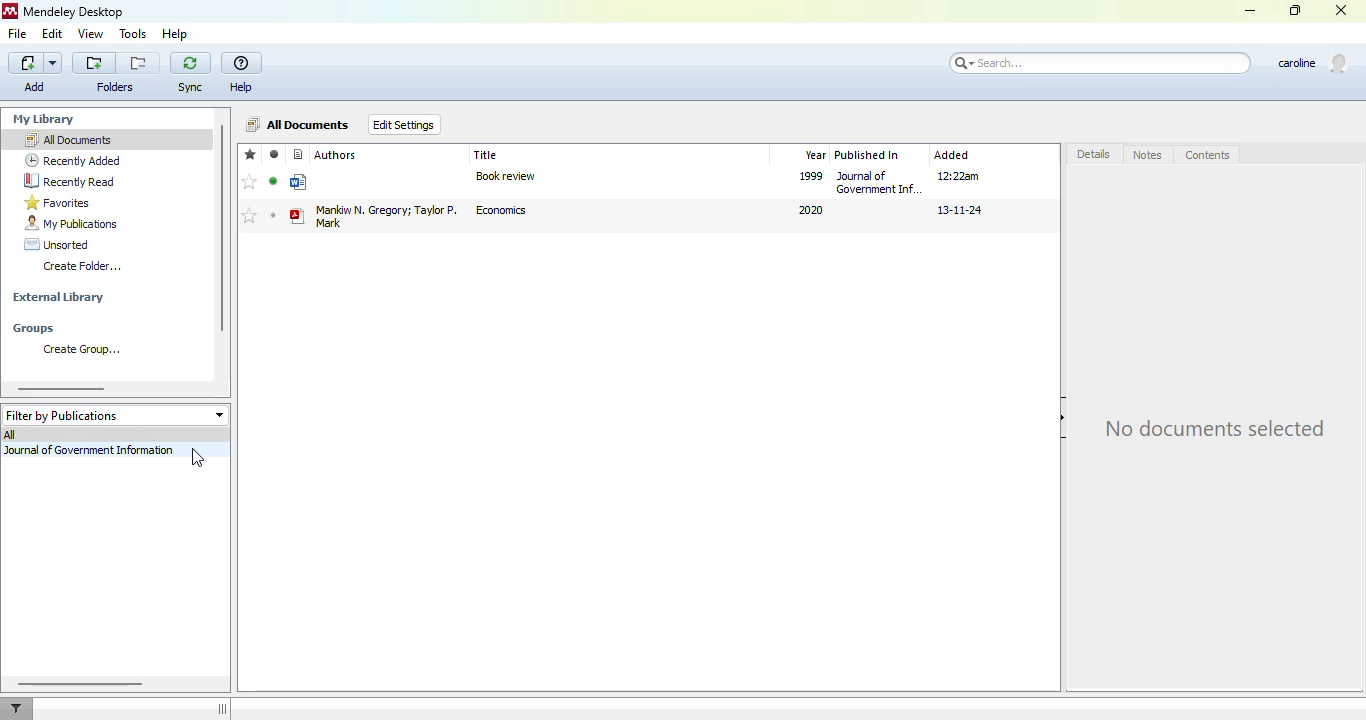 This screenshot has height=720, width=1366. What do you see at coordinates (176, 34) in the screenshot?
I see `help` at bounding box center [176, 34].